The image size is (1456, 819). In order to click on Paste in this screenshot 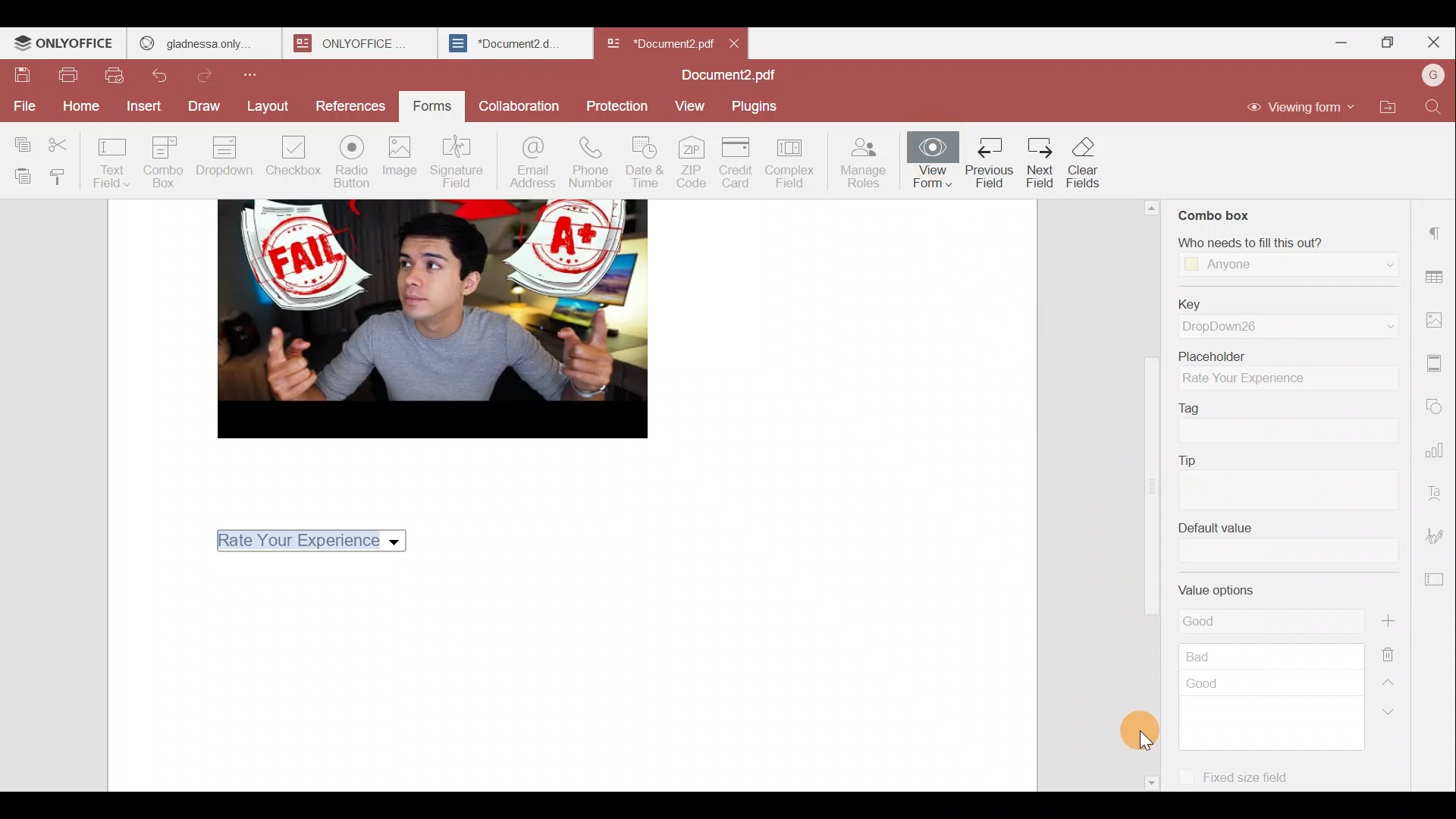, I will do `click(20, 176)`.